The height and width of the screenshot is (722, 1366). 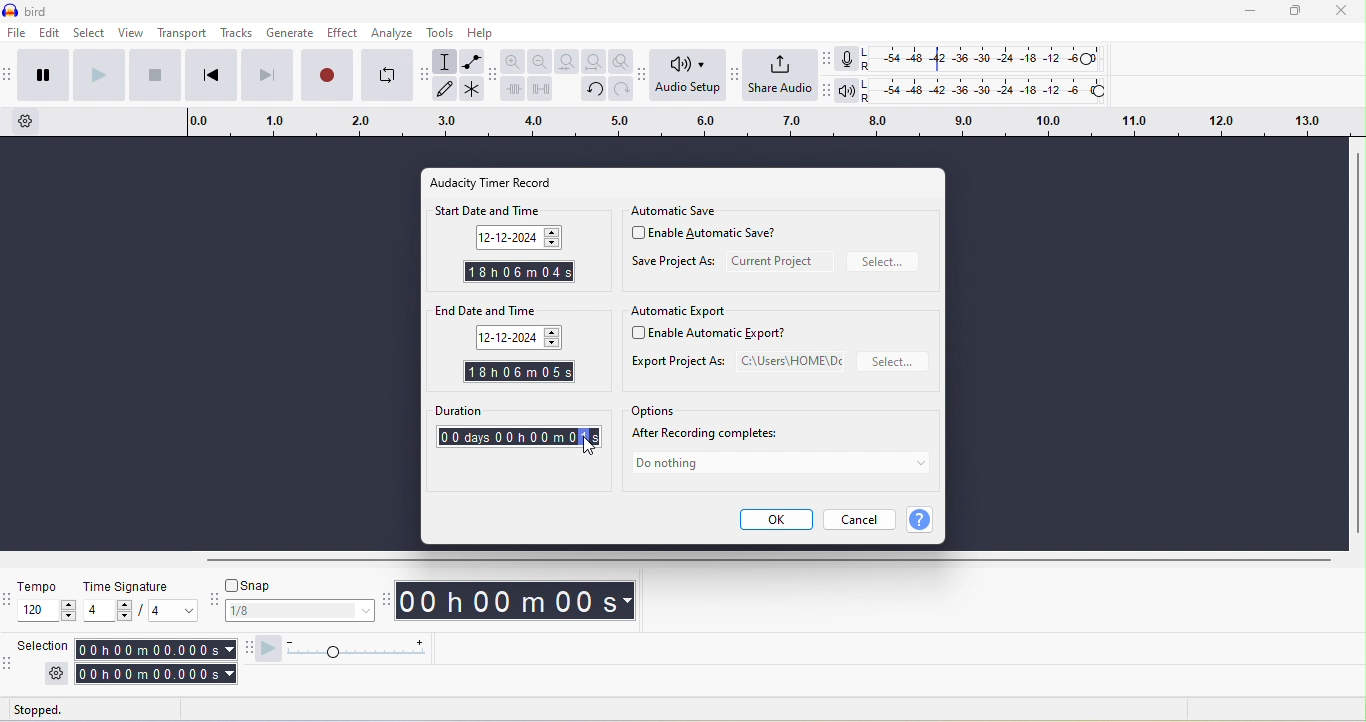 What do you see at coordinates (521, 271) in the screenshot?
I see `start time changed` at bounding box center [521, 271].